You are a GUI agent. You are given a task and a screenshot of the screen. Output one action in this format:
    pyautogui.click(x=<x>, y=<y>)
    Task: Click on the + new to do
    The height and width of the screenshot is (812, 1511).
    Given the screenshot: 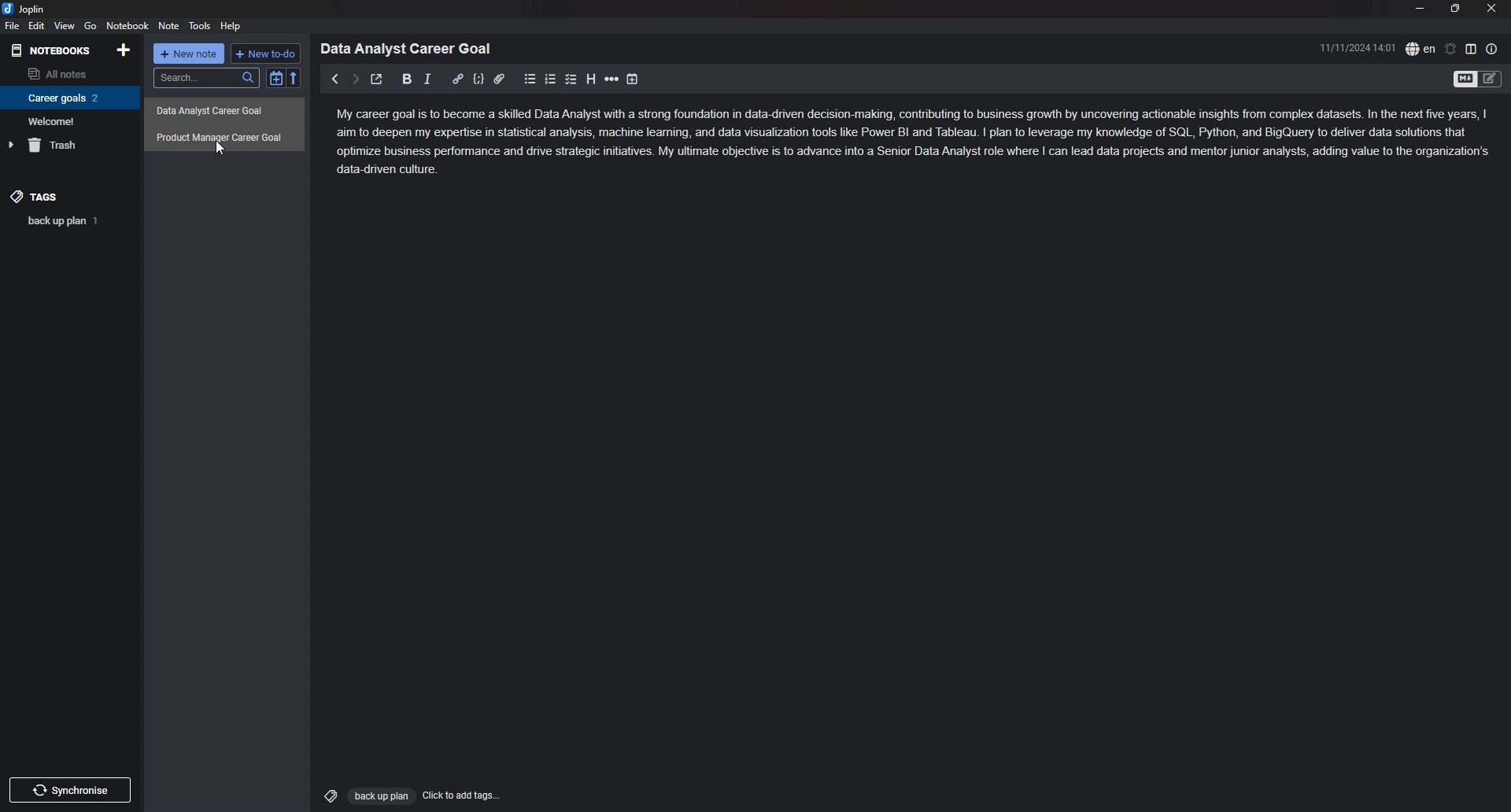 What is the action you would take?
    pyautogui.click(x=264, y=54)
    